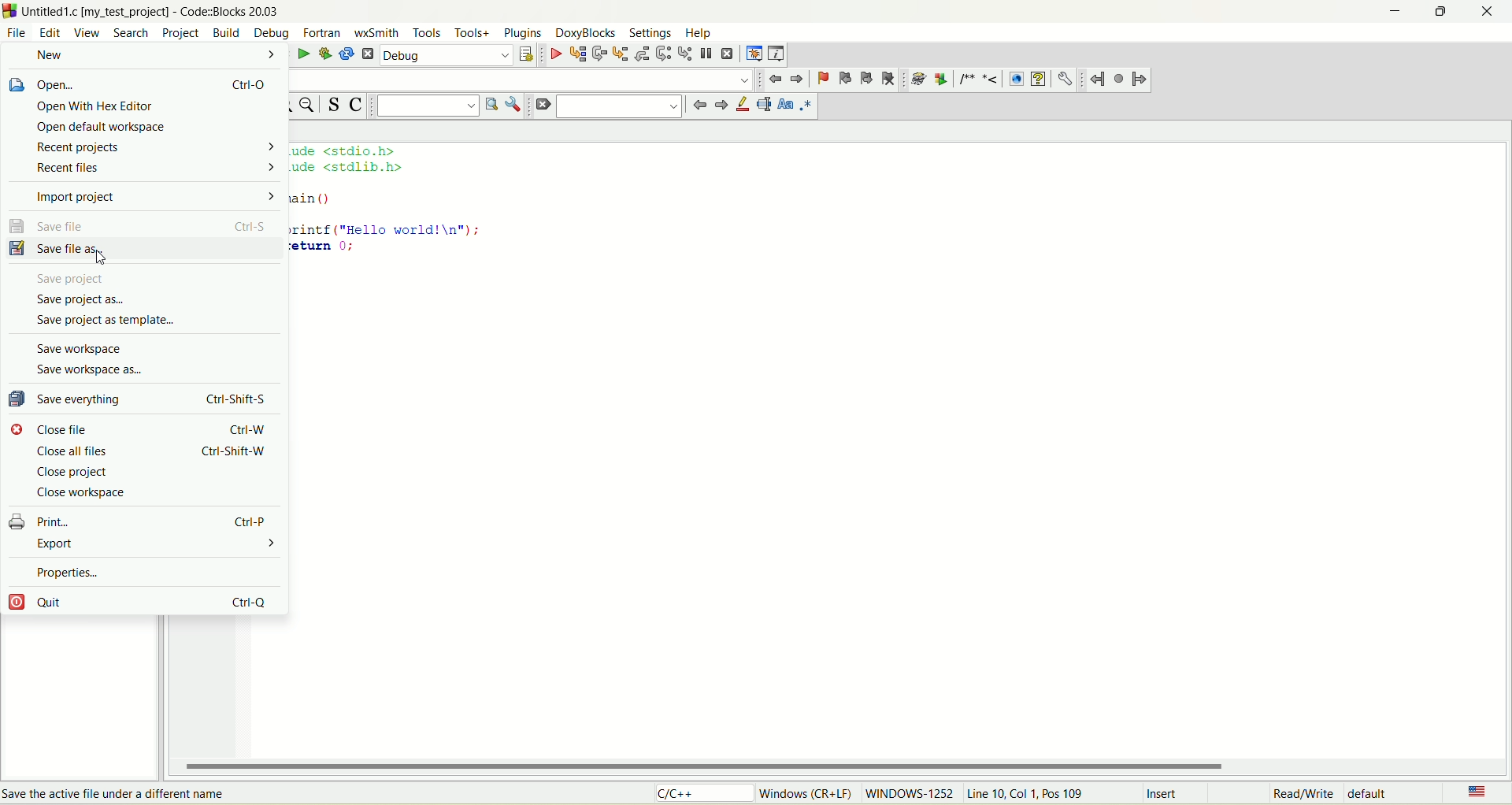 This screenshot has width=1512, height=805. Describe the element at coordinates (1064, 79) in the screenshot. I see `preferences` at that location.